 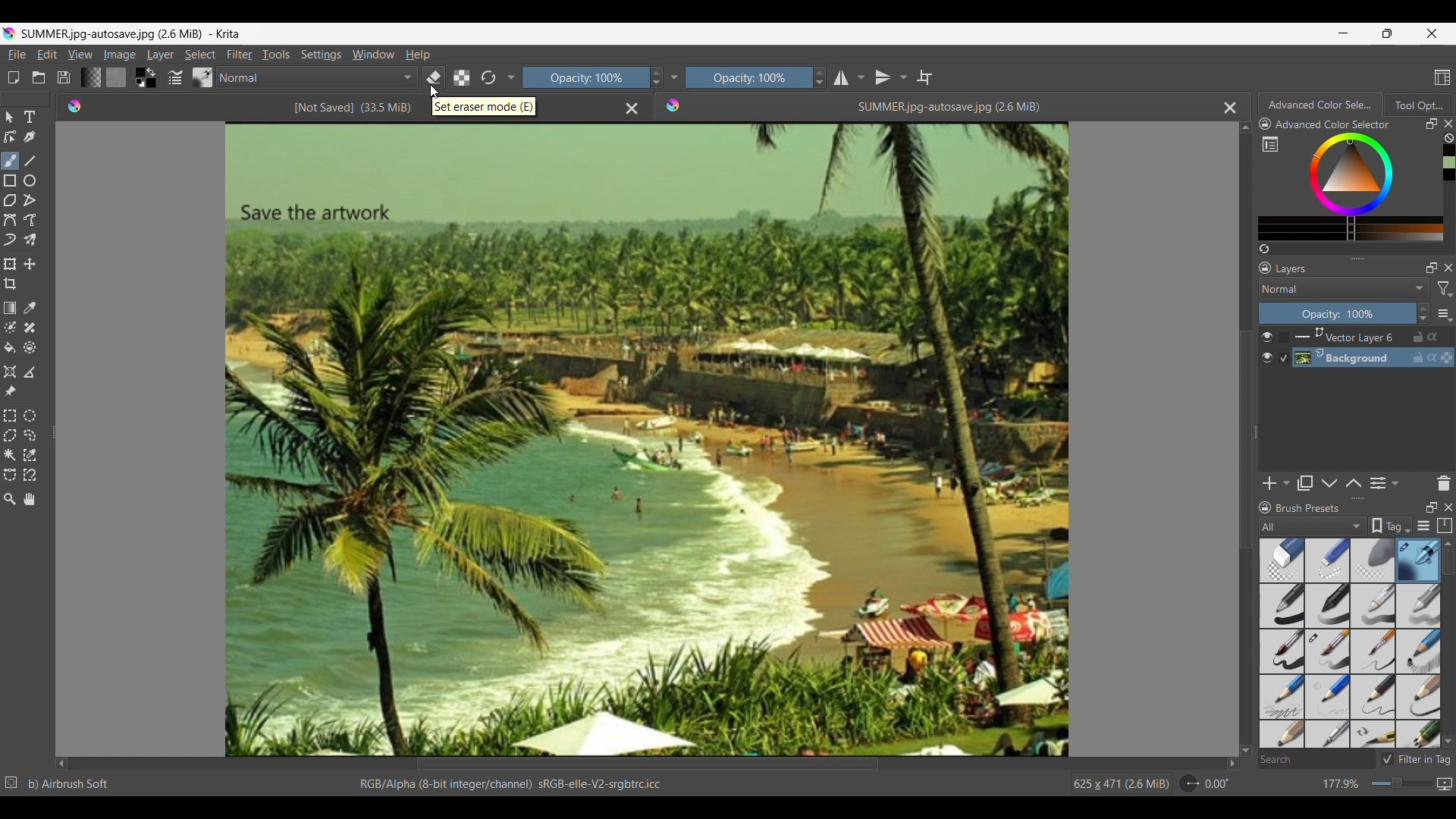 I want to click on Bezier curve selection tool, so click(x=11, y=475).